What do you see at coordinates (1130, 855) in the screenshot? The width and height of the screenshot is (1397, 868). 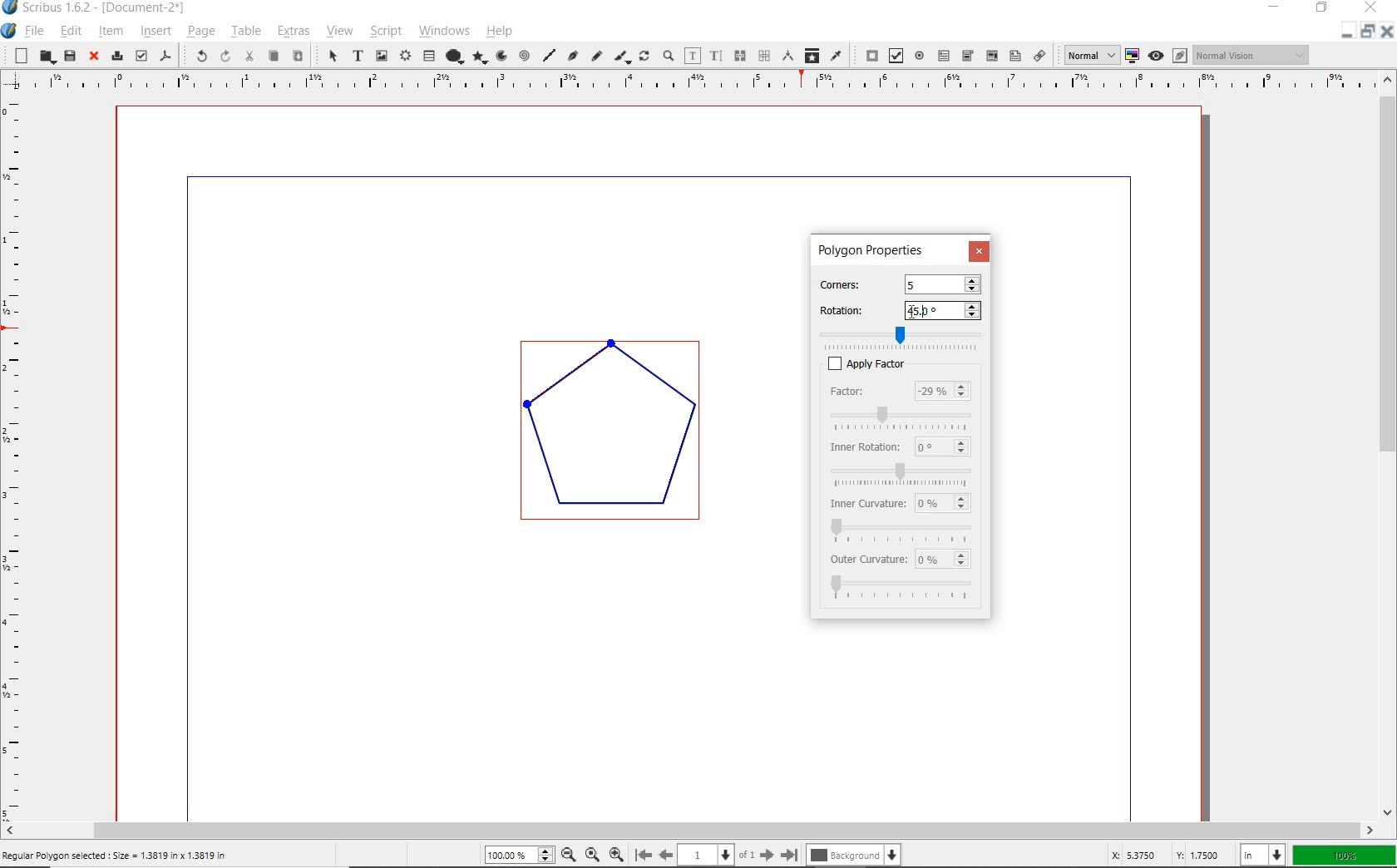 I see `x: 3.17%` at bounding box center [1130, 855].